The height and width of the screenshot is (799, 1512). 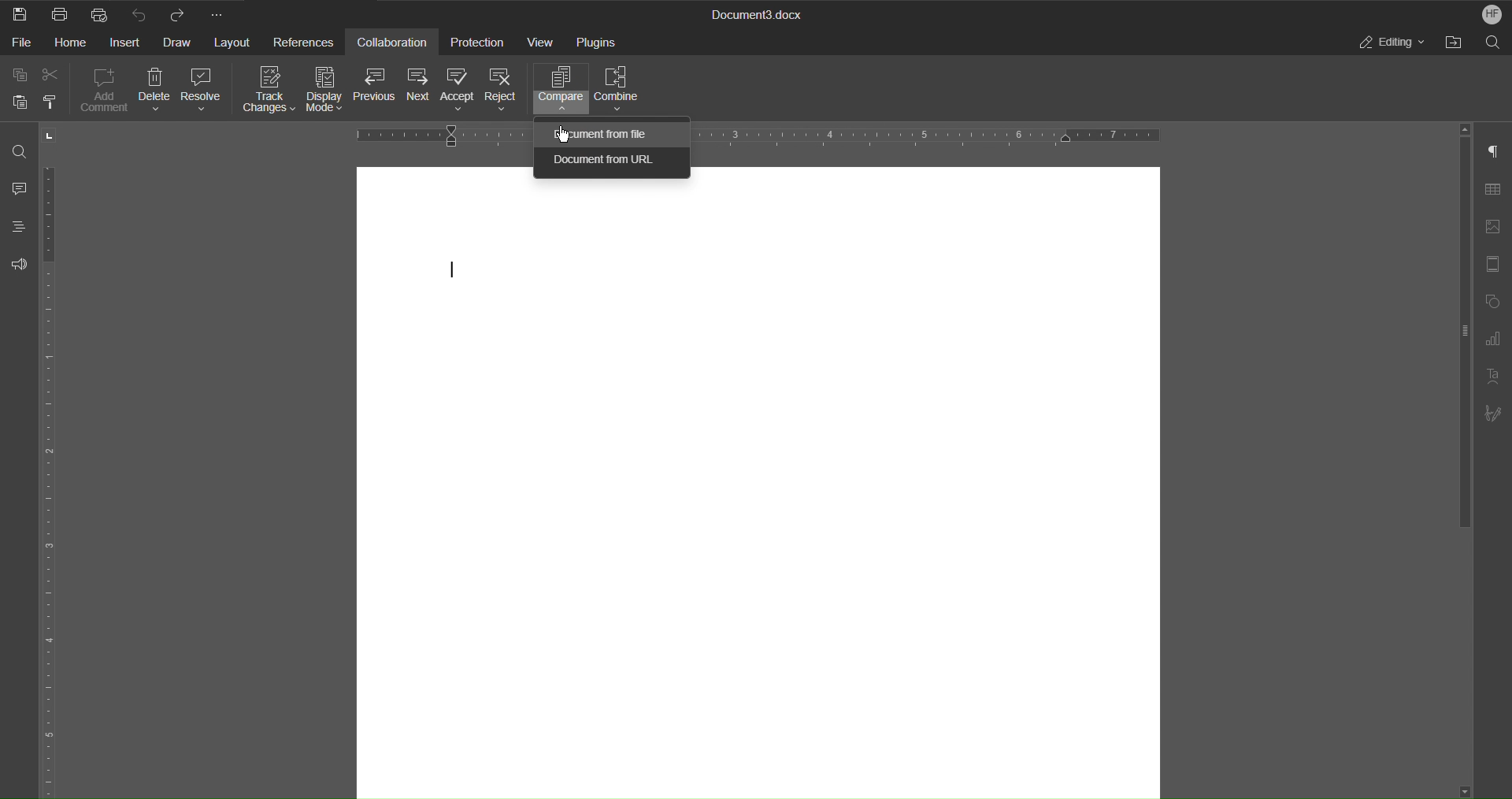 What do you see at coordinates (480, 42) in the screenshot?
I see `Protection` at bounding box center [480, 42].